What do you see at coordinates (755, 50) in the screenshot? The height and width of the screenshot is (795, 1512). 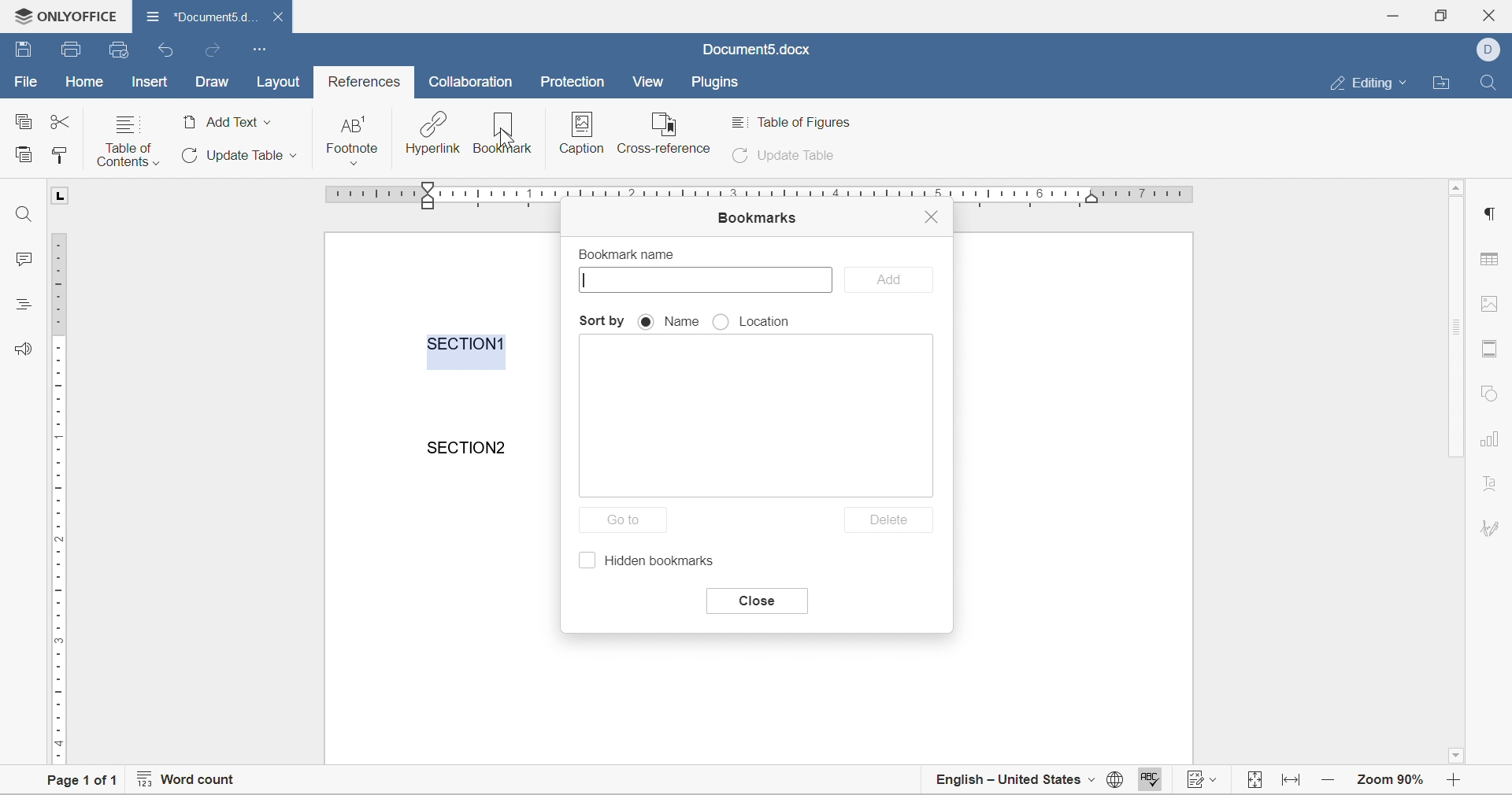 I see `document5.docx` at bounding box center [755, 50].